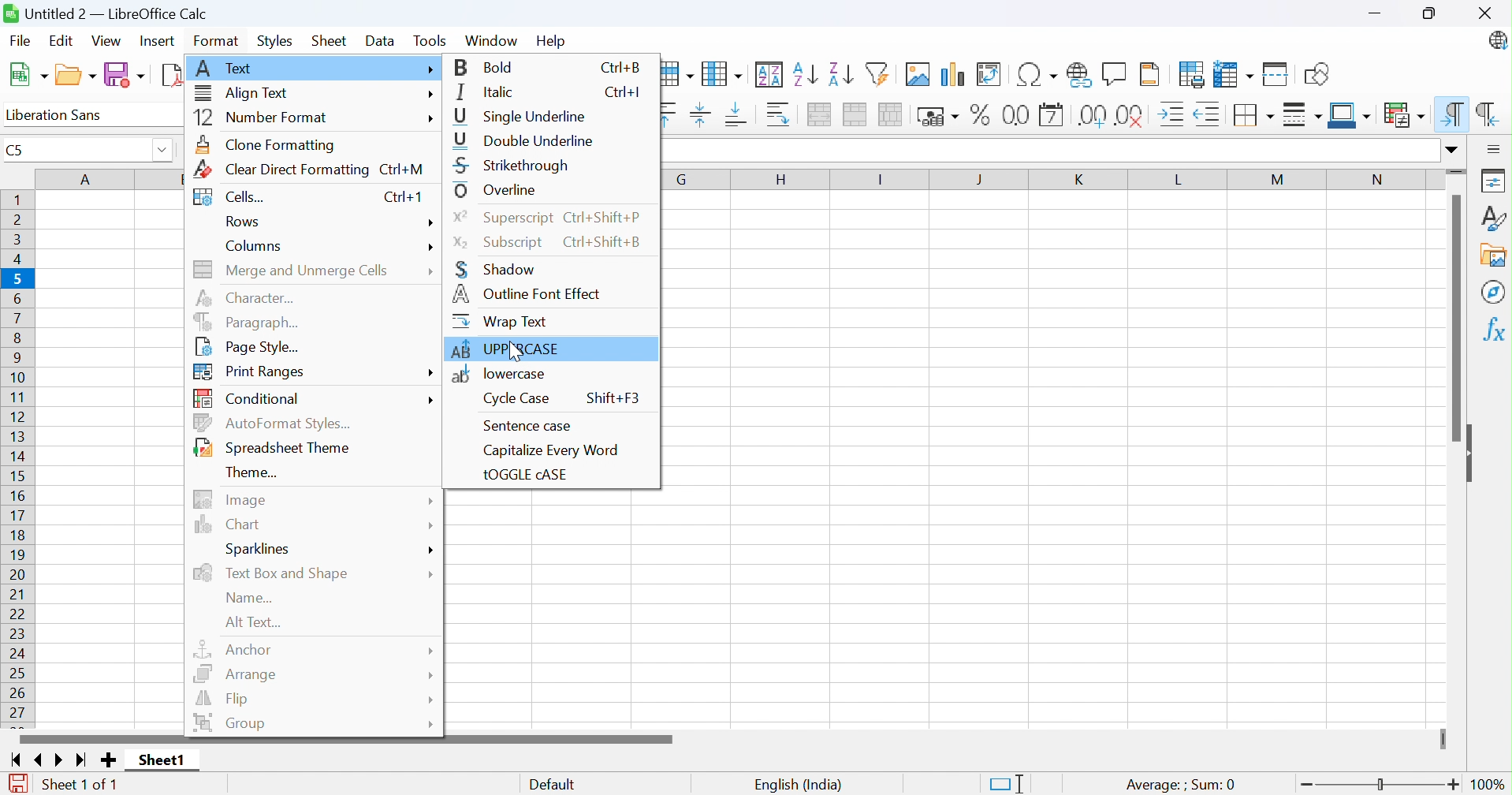 Image resolution: width=1512 pixels, height=795 pixels. Describe the element at coordinates (61, 39) in the screenshot. I see `Edit` at that location.